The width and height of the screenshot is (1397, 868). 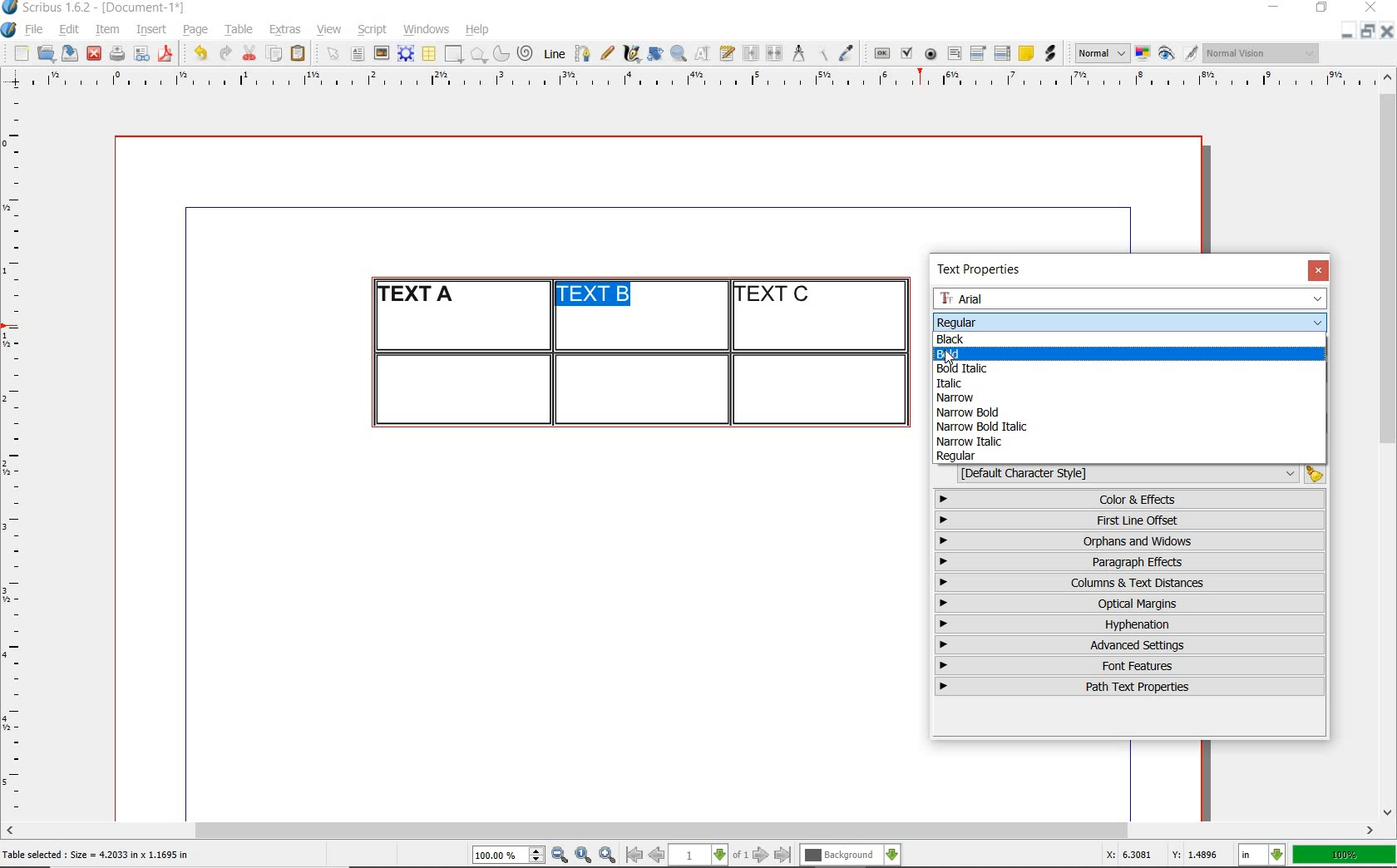 What do you see at coordinates (200, 53) in the screenshot?
I see `undo` at bounding box center [200, 53].